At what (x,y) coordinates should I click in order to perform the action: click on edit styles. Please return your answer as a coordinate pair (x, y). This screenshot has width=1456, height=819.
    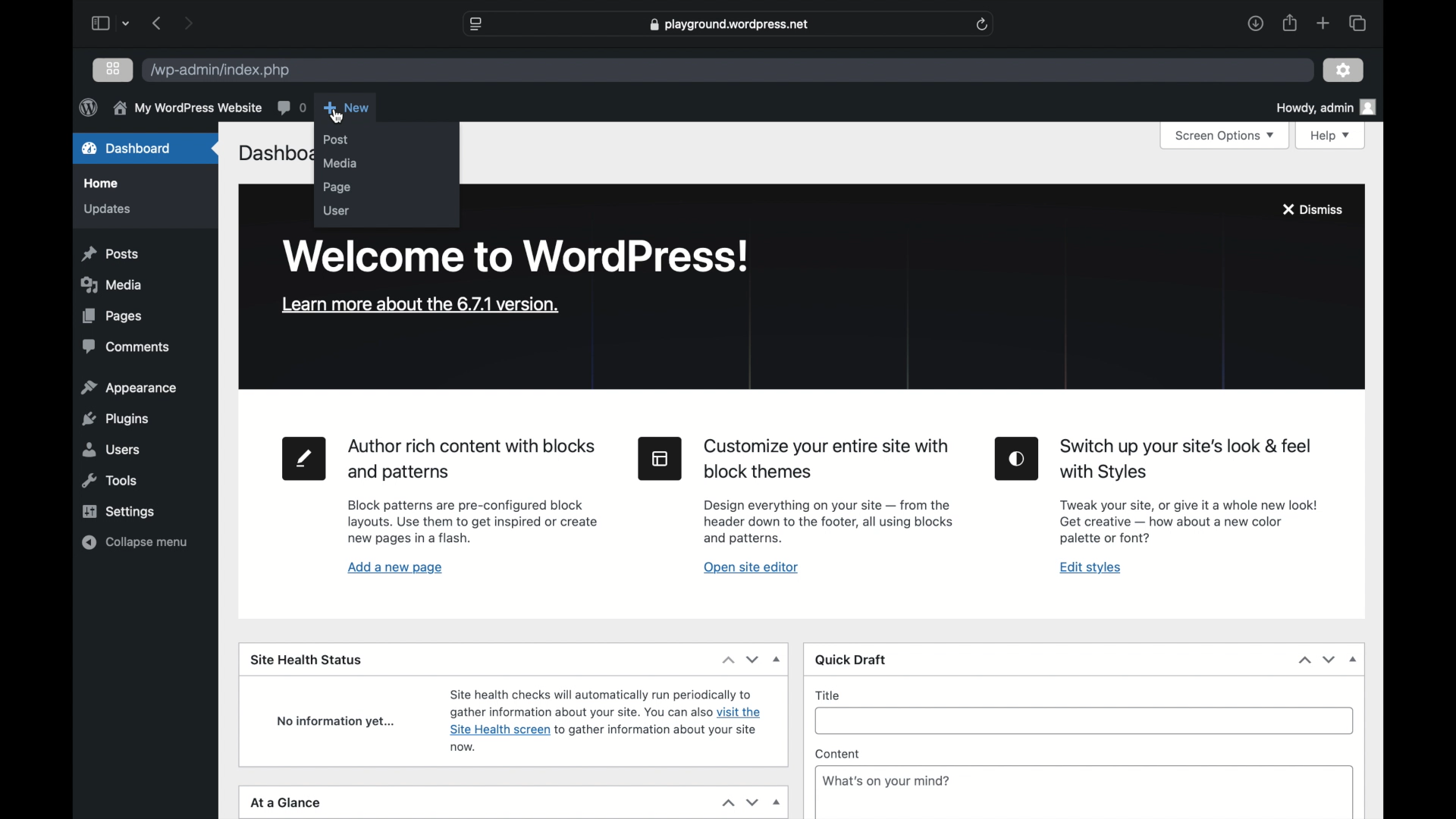
    Looking at the image, I should click on (1091, 568).